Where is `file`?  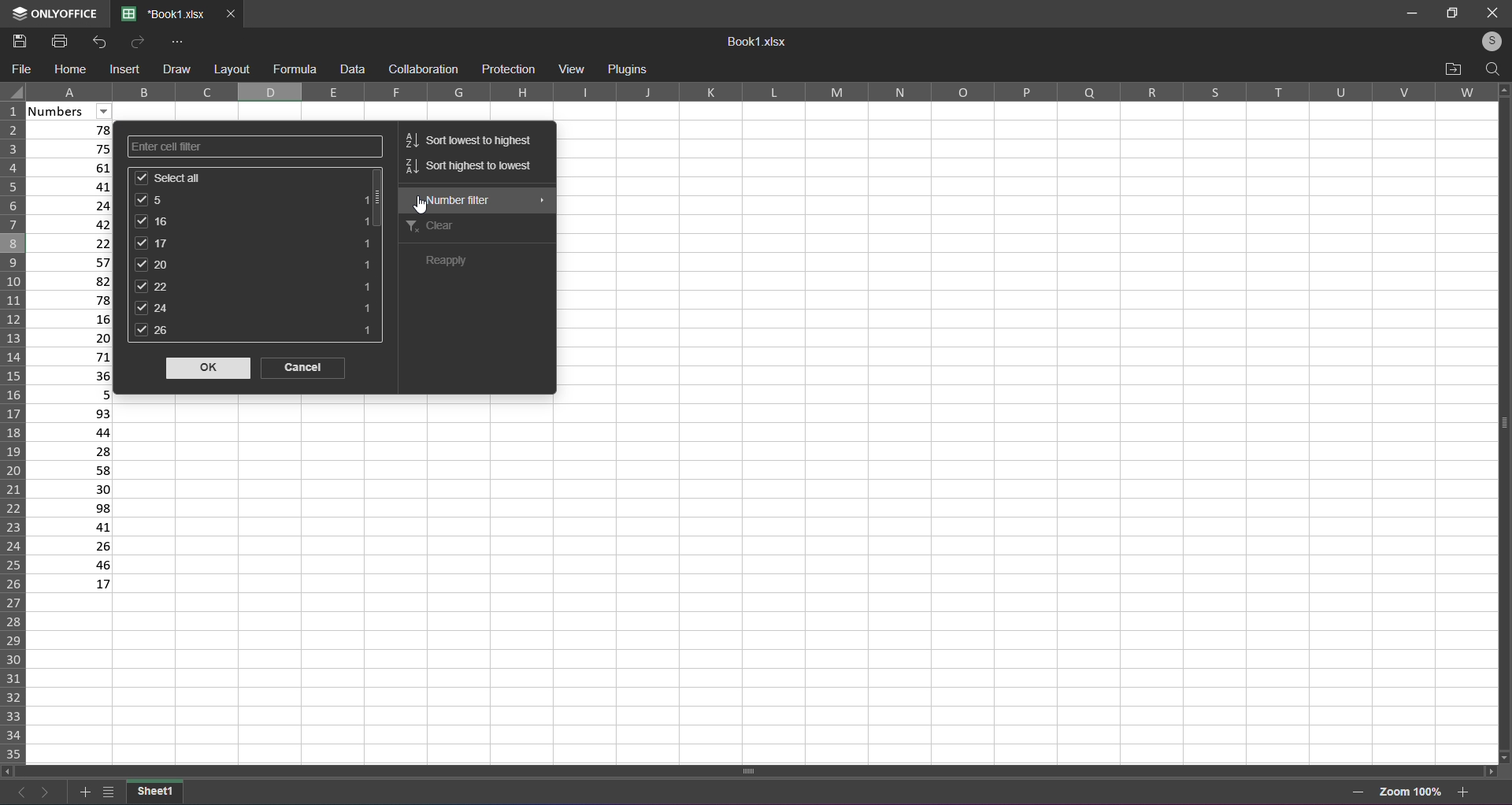
file is located at coordinates (24, 69).